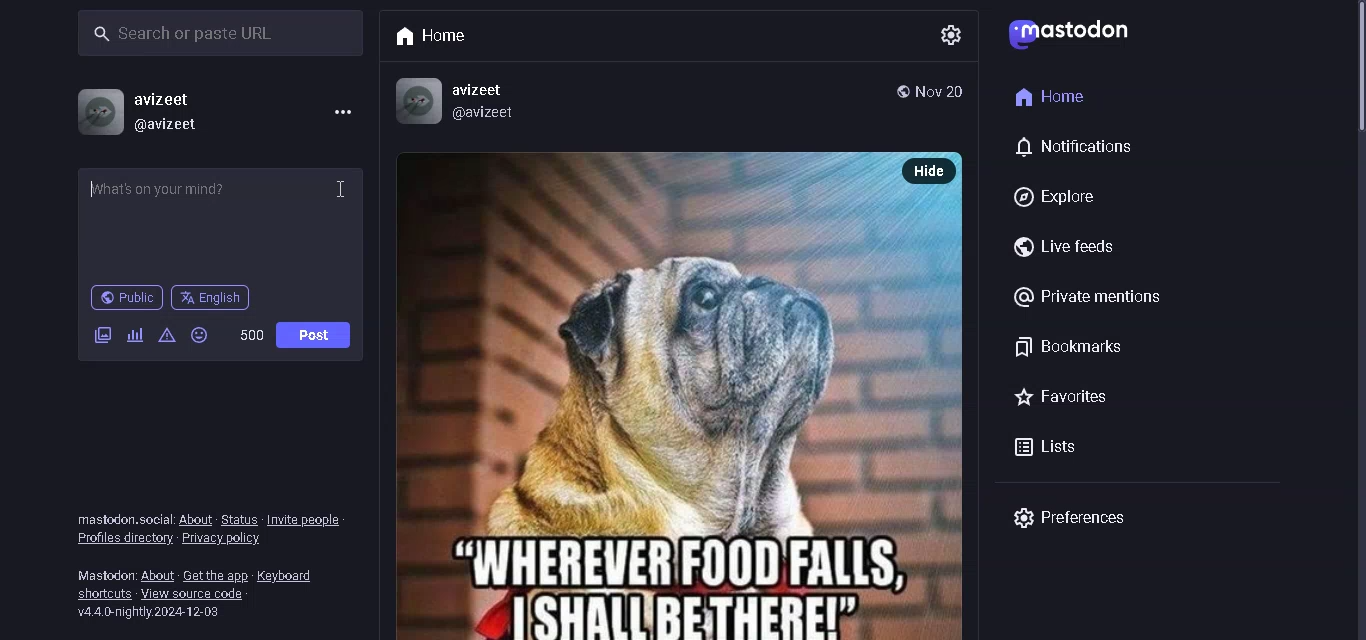 The image size is (1366, 640). I want to click on @username, so click(173, 125).